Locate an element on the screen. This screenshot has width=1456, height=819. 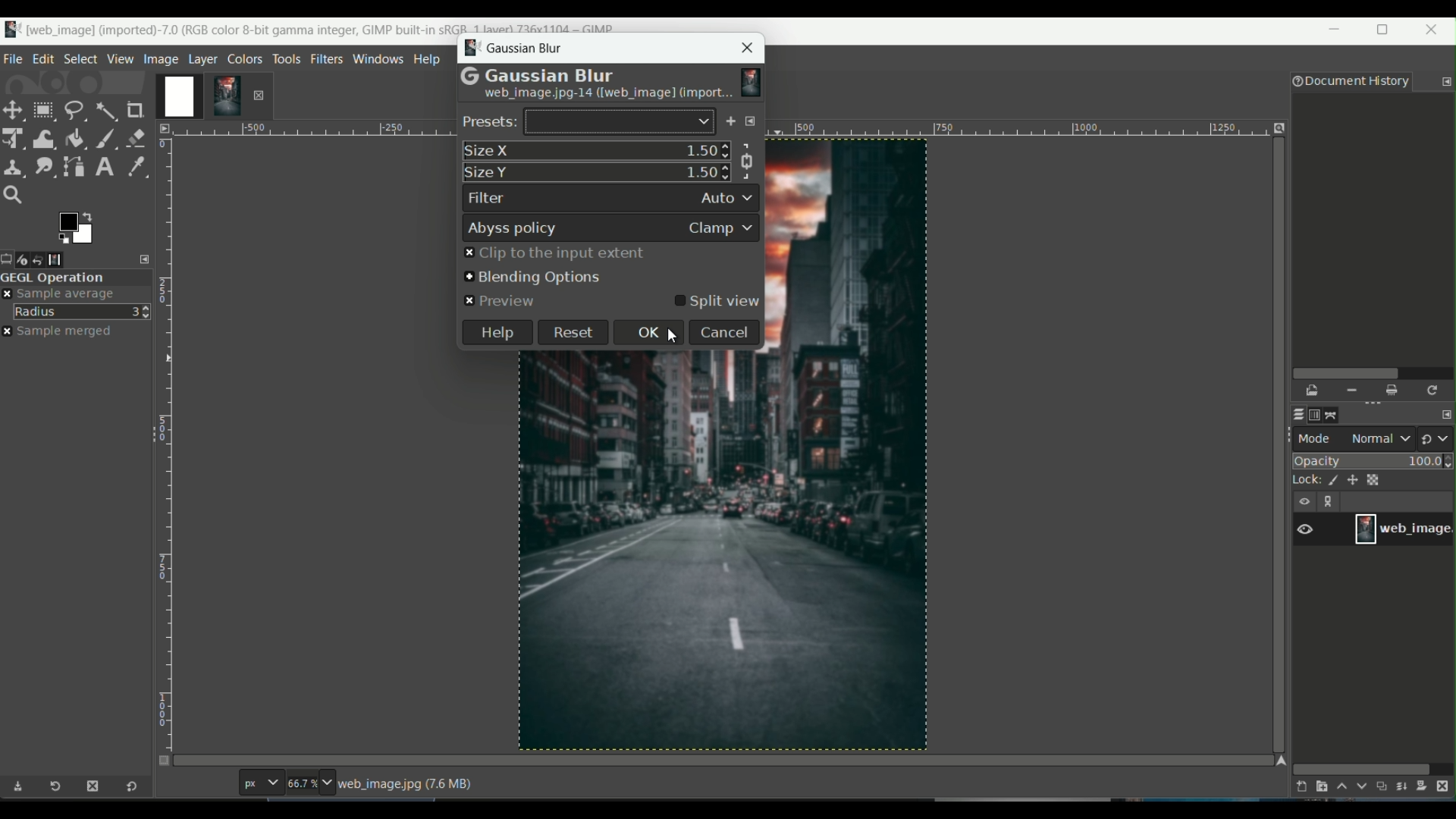
reset is located at coordinates (574, 333).